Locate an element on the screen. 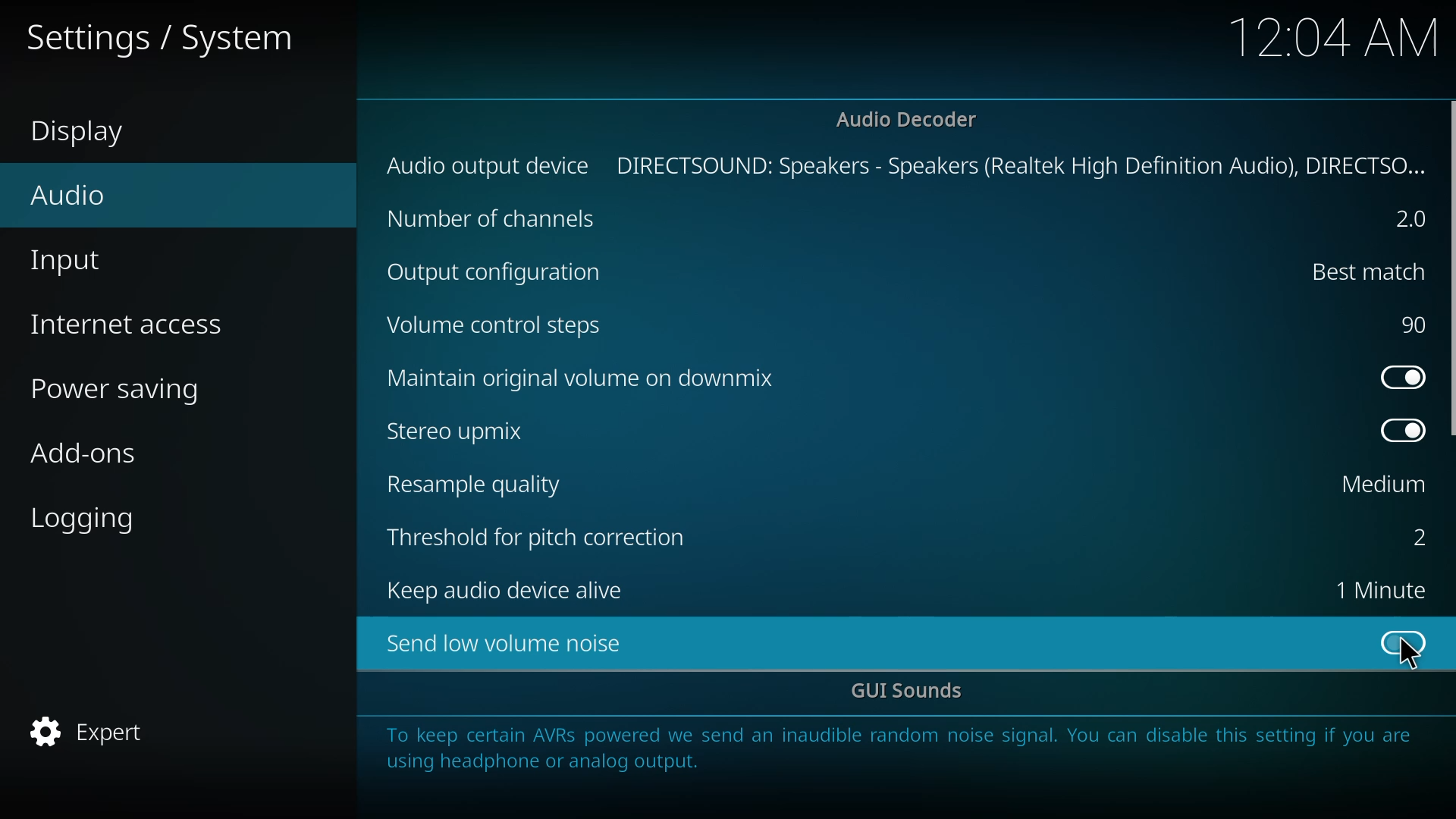  2 is located at coordinates (1414, 538).